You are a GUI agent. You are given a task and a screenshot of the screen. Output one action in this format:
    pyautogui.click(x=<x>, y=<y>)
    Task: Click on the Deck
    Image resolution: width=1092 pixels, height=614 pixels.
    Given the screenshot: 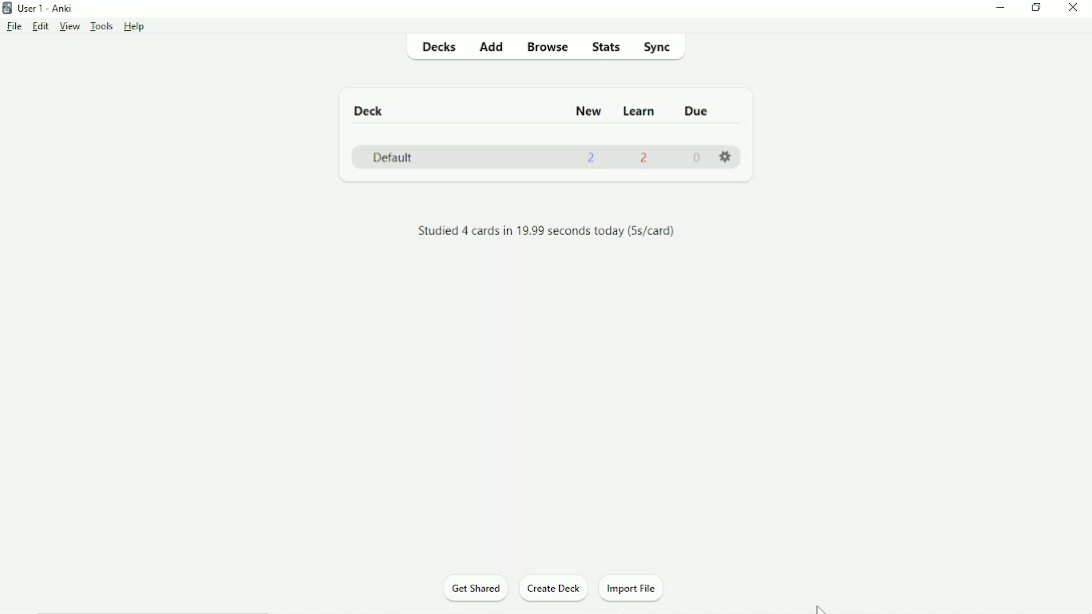 What is the action you would take?
    pyautogui.click(x=372, y=111)
    